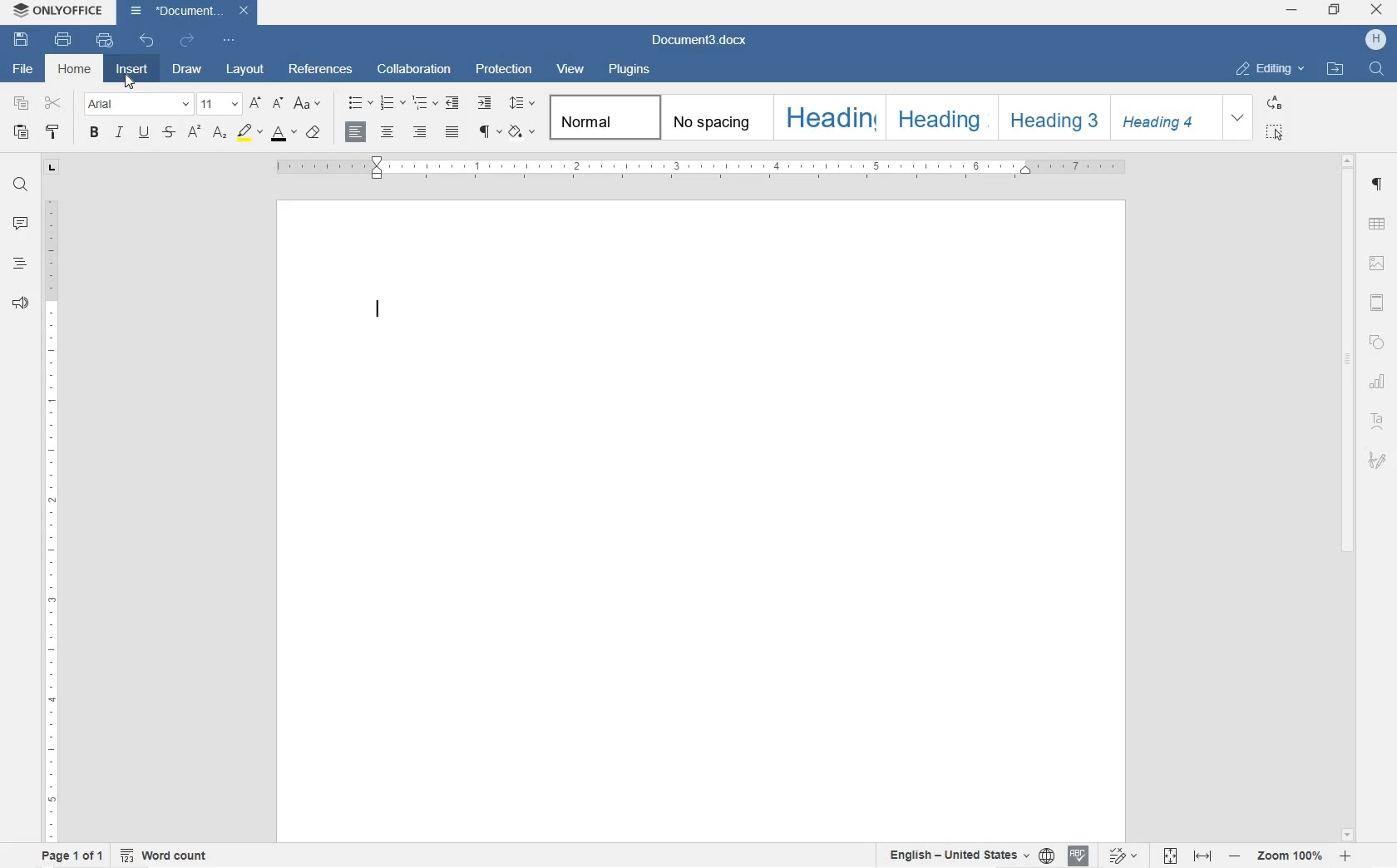 The image size is (1397, 868). I want to click on DRAW, so click(185, 72).